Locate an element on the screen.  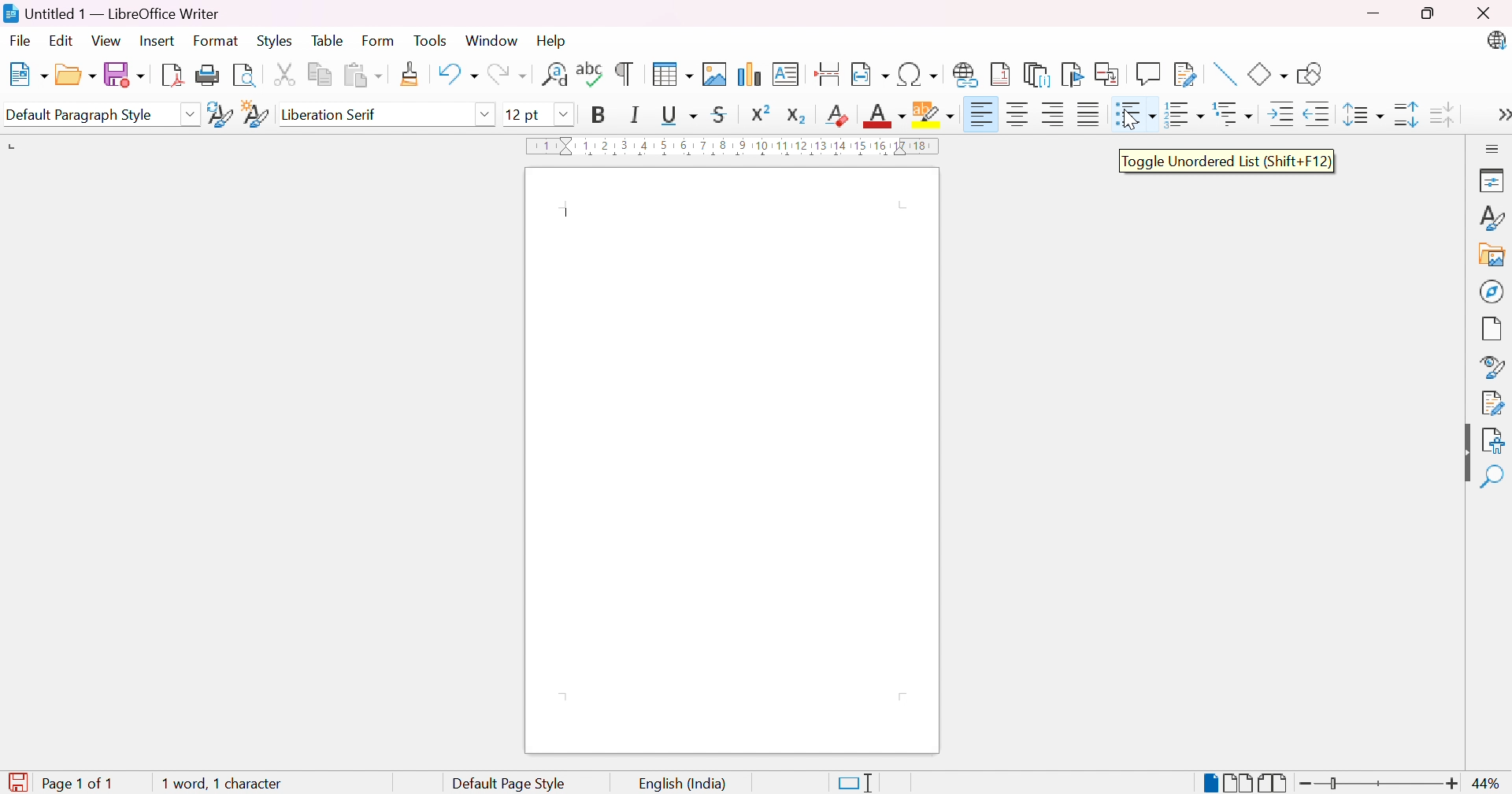
Insert footnote is located at coordinates (998, 75).